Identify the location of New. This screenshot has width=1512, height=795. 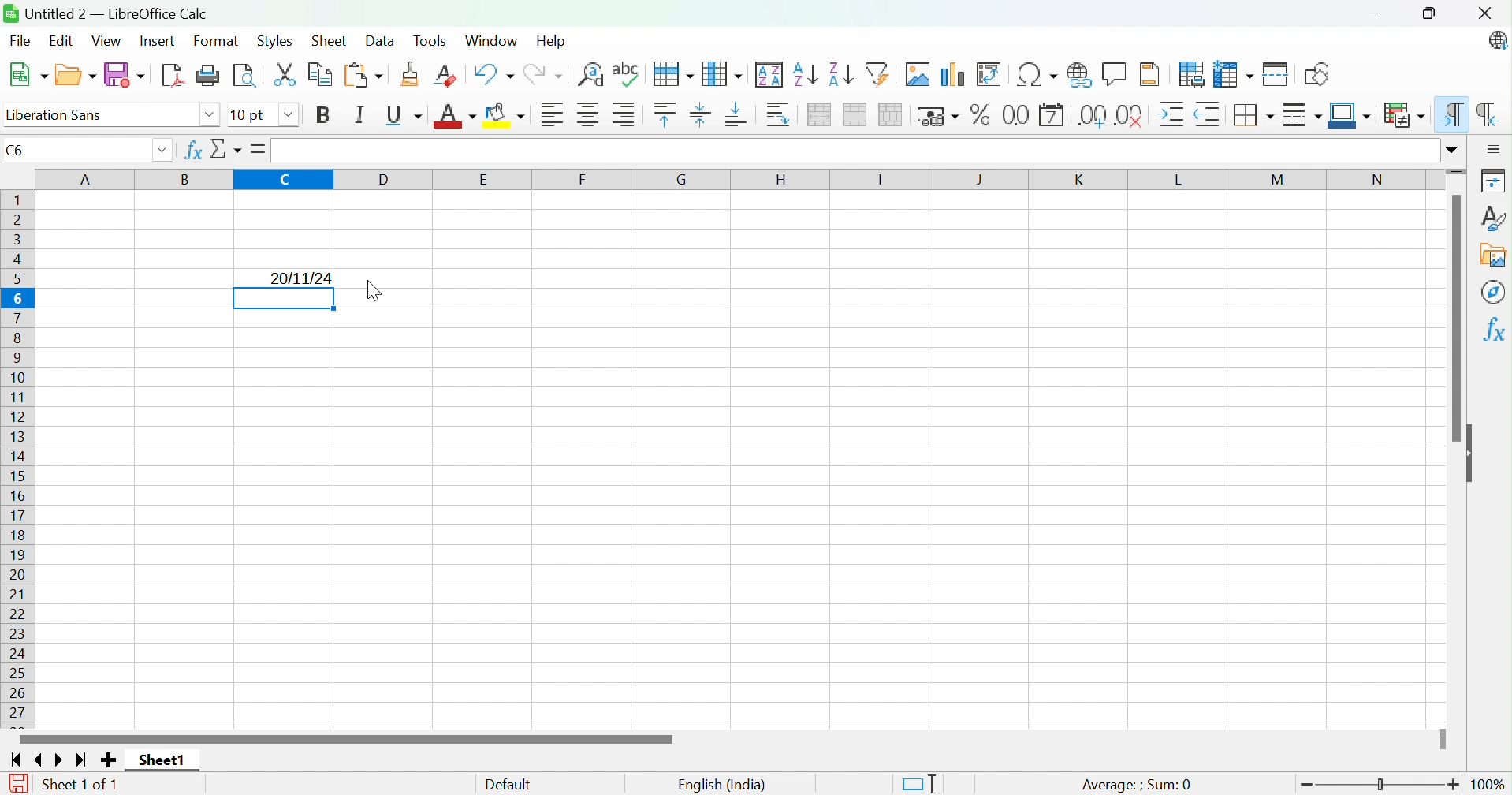
(29, 76).